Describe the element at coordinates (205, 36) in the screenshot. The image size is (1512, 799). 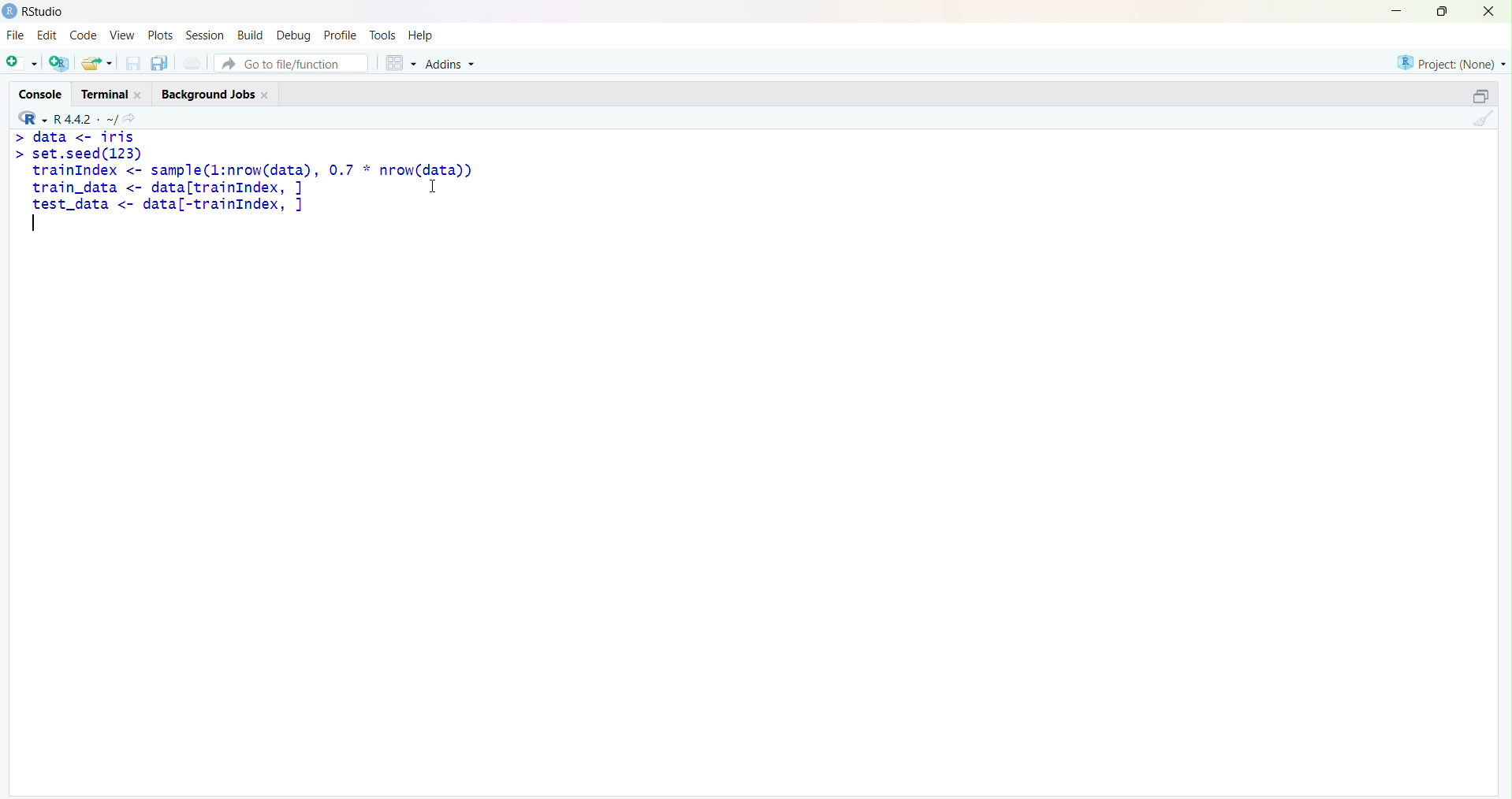
I see `Session` at that location.